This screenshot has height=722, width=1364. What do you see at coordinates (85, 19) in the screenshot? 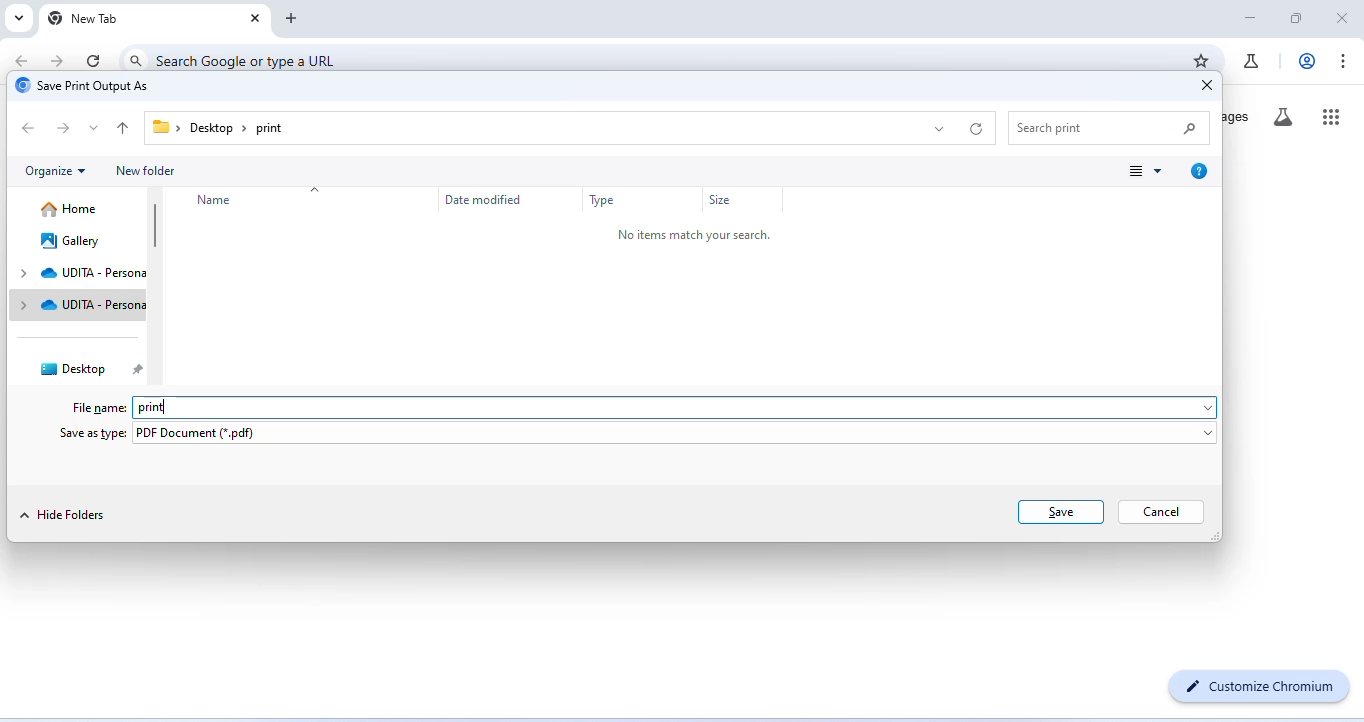
I see `new tab` at bounding box center [85, 19].